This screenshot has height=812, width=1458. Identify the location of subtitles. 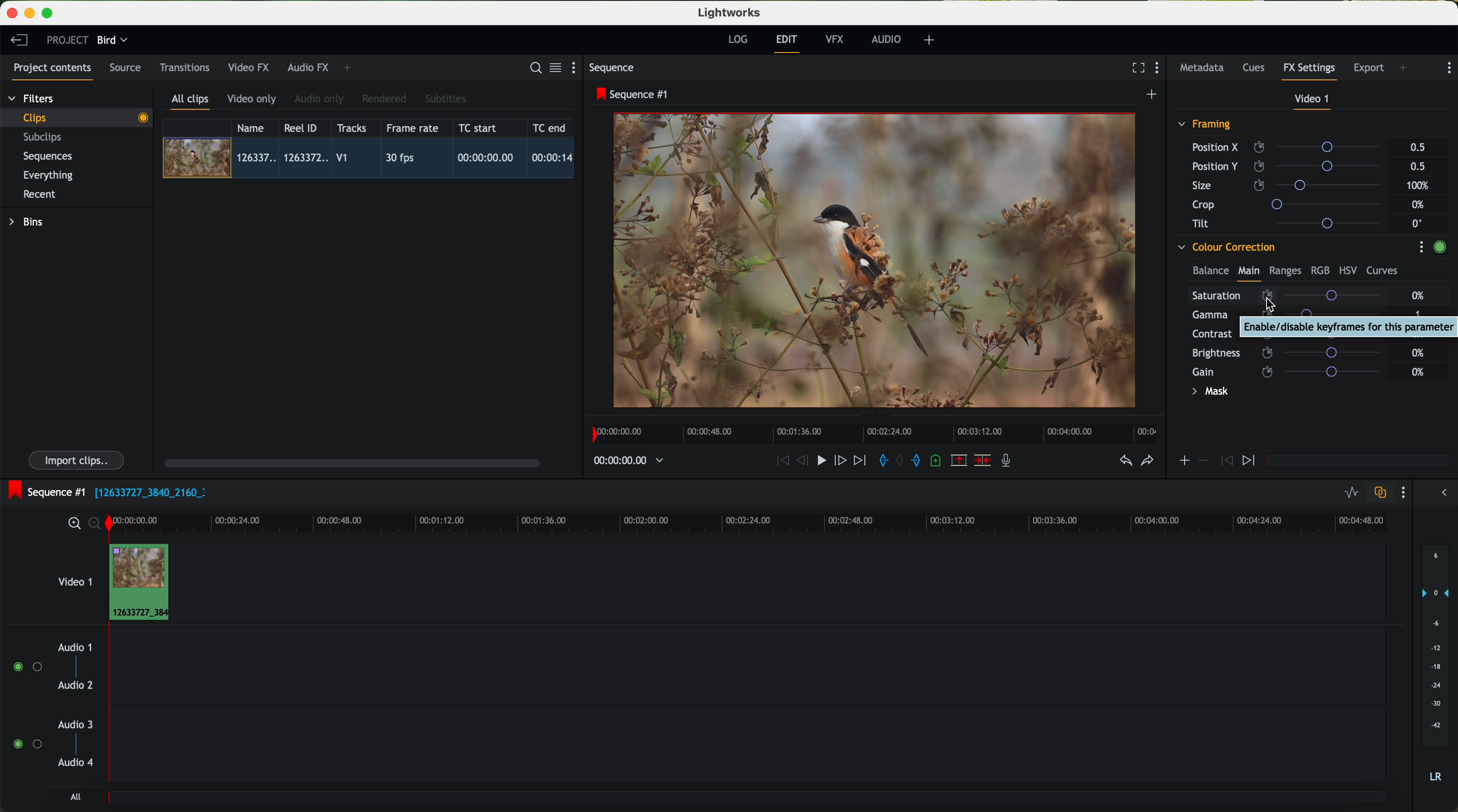
(444, 99).